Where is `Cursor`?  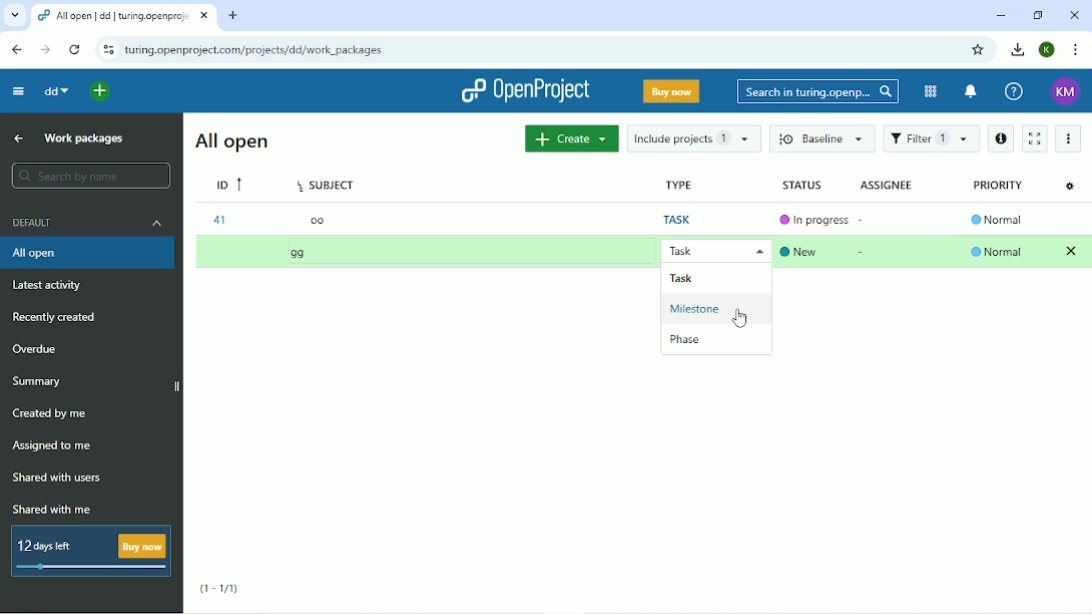
Cursor is located at coordinates (741, 318).